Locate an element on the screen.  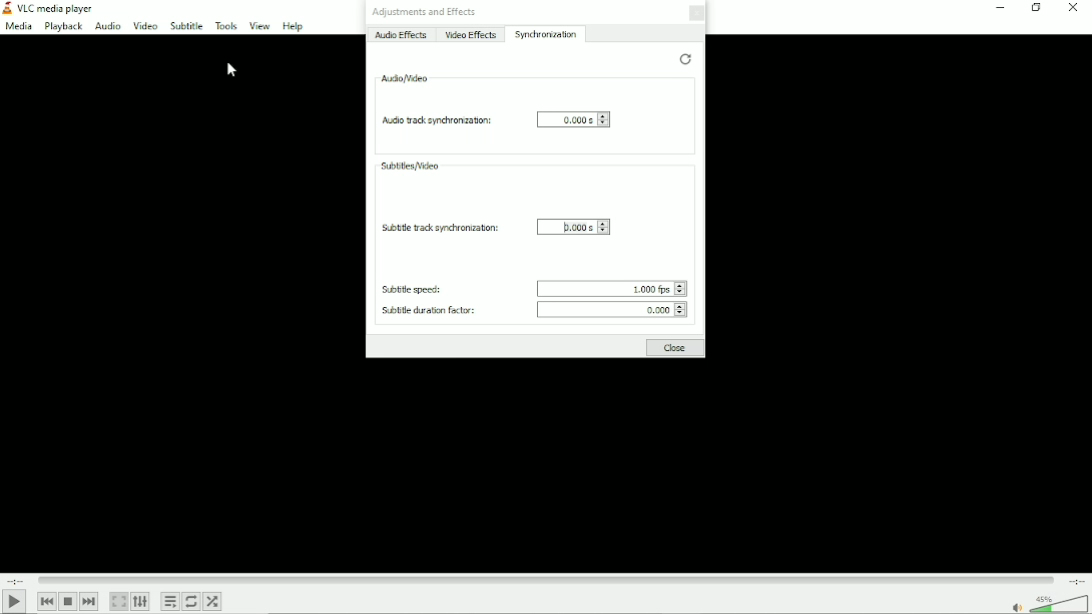
playback is located at coordinates (64, 26).